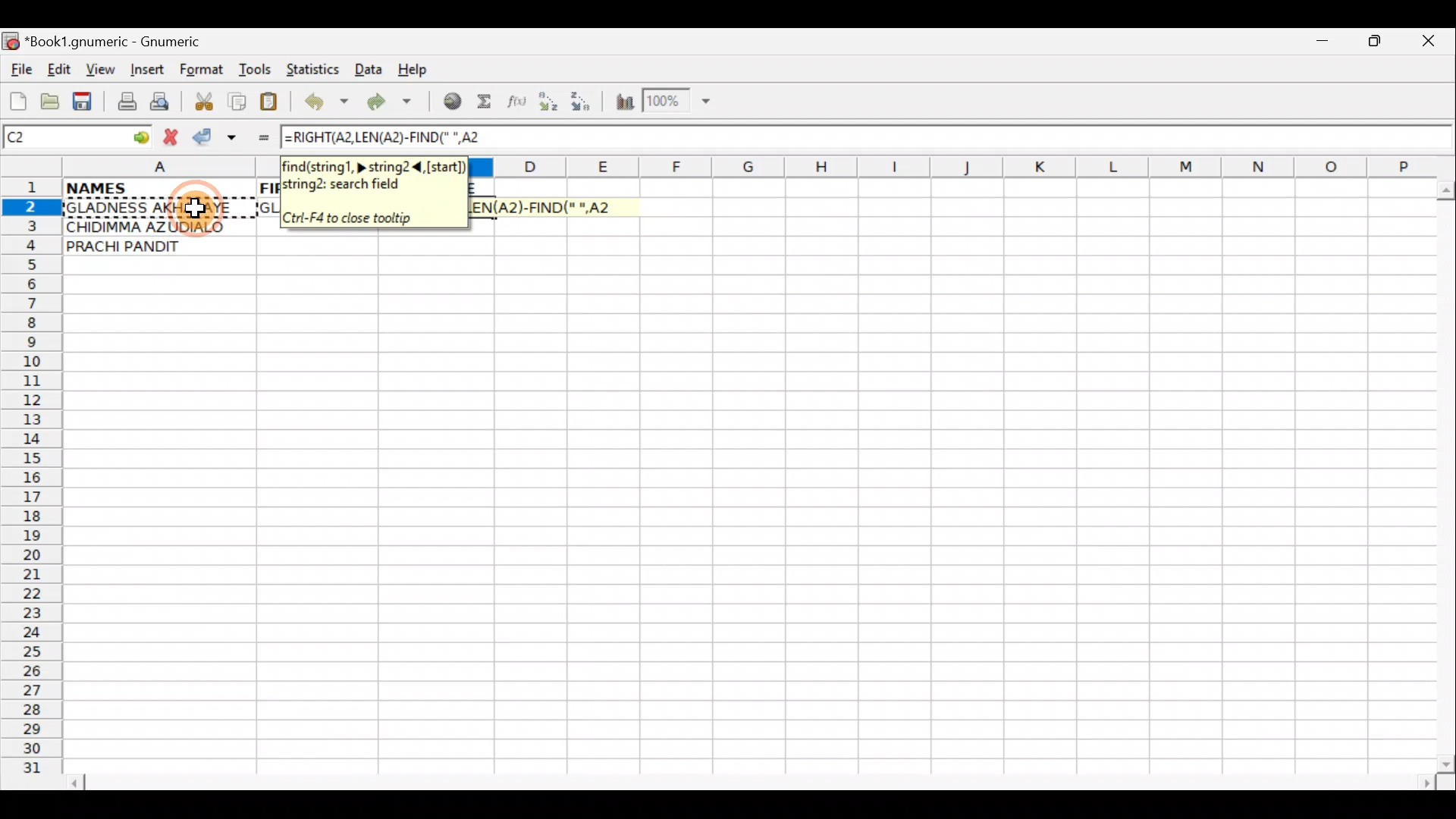 This screenshot has width=1456, height=819. What do you see at coordinates (160, 105) in the screenshot?
I see `Print preview` at bounding box center [160, 105].